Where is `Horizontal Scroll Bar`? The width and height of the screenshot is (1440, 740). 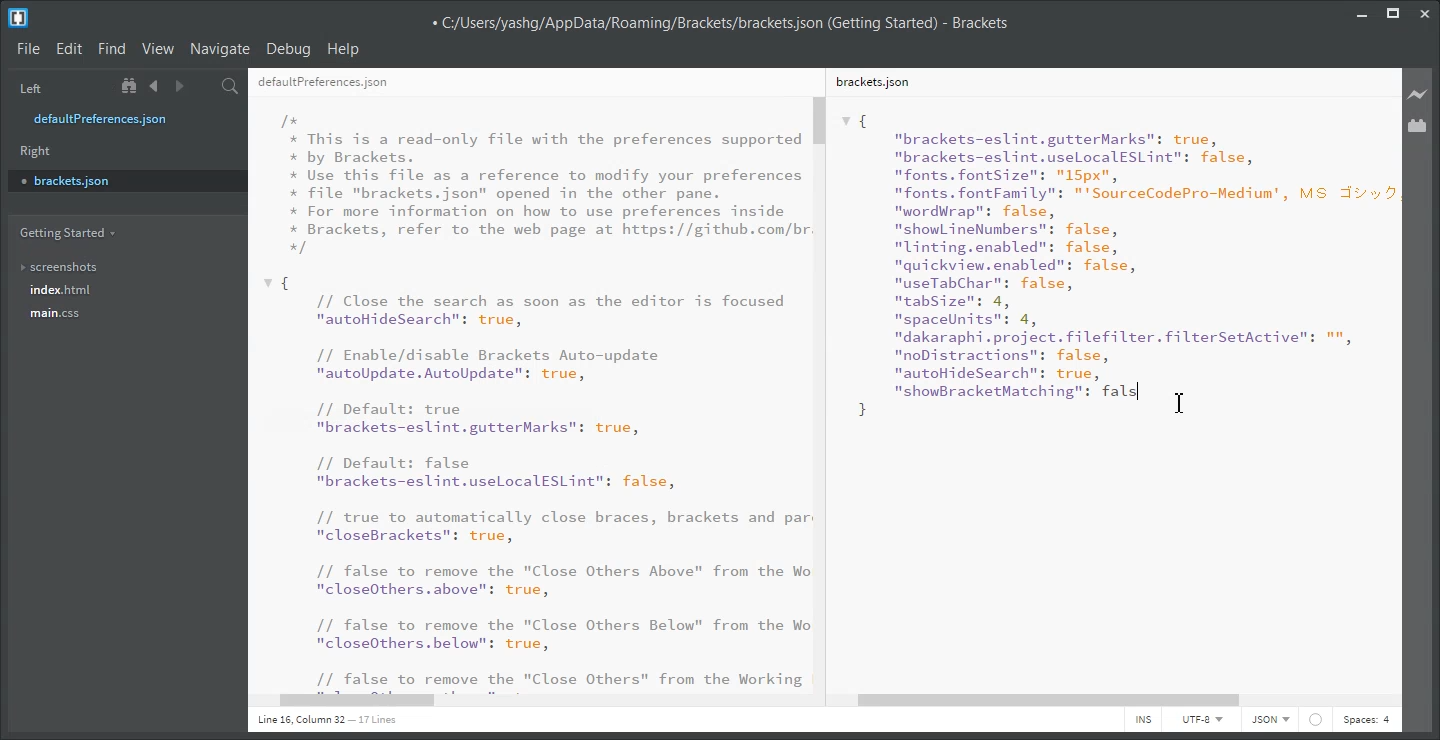
Horizontal Scroll Bar is located at coordinates (1116, 701).